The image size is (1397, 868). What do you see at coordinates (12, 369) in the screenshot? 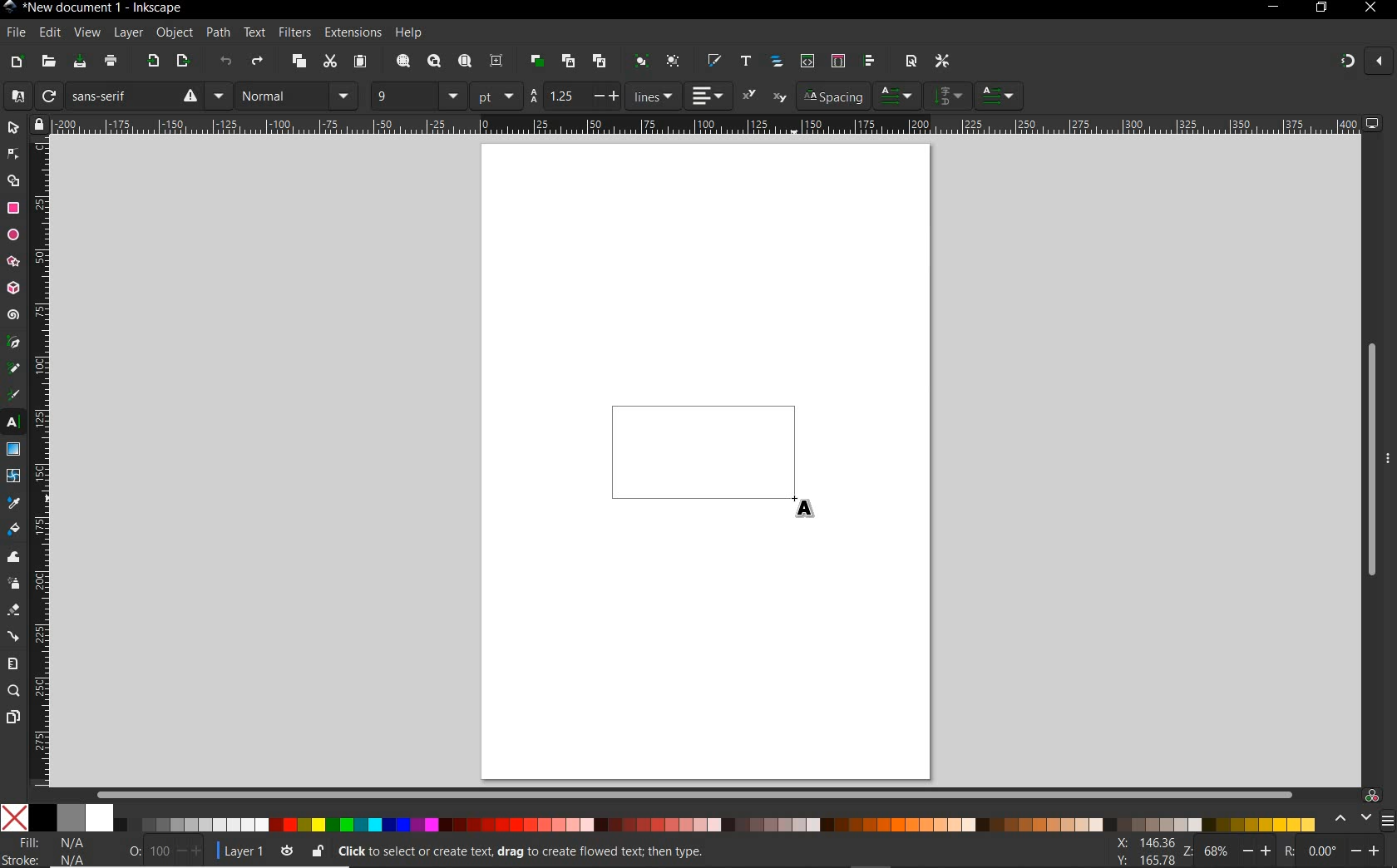
I see `pencil tool` at bounding box center [12, 369].